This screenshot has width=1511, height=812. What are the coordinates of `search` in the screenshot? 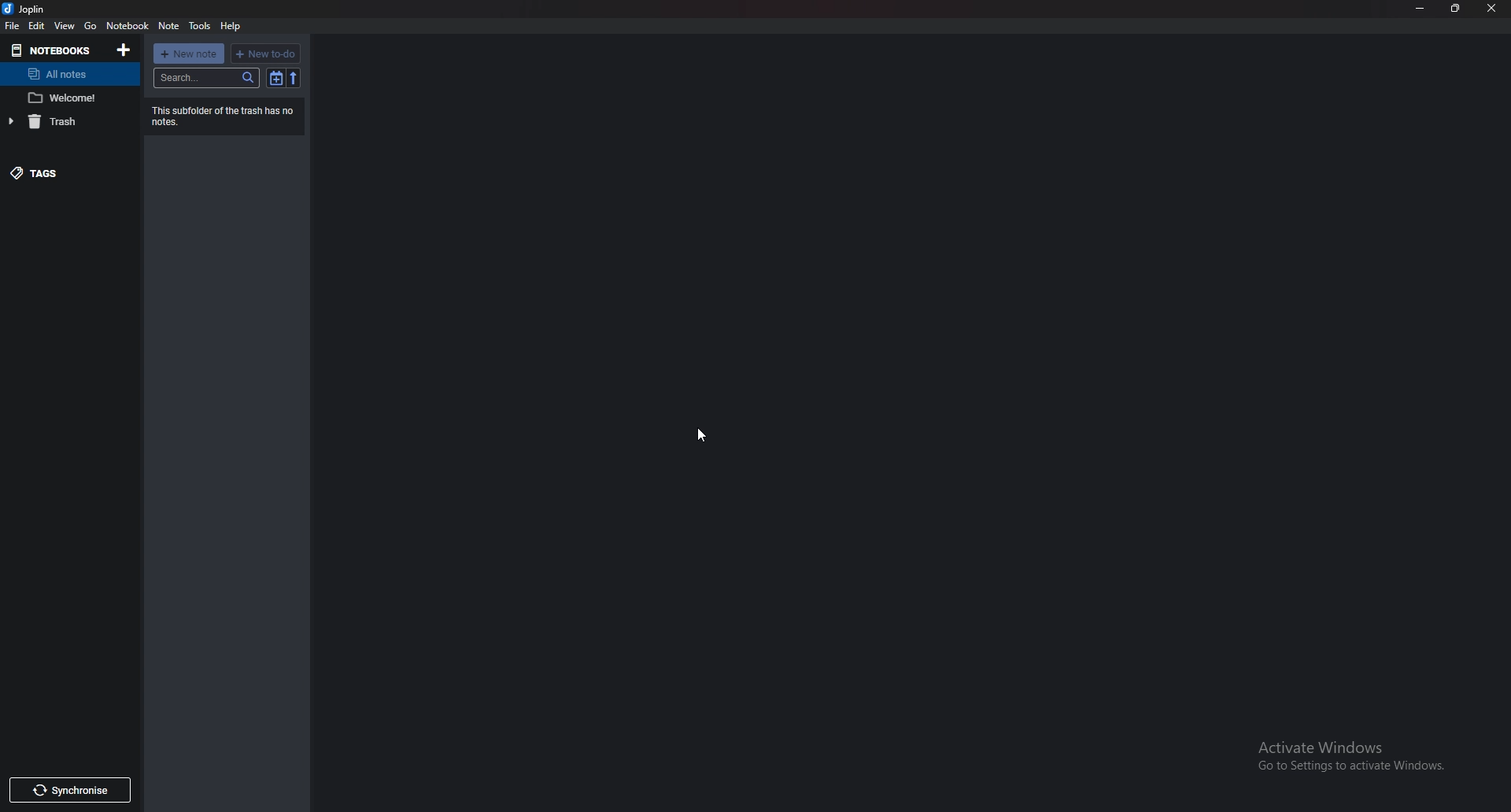 It's located at (206, 77).